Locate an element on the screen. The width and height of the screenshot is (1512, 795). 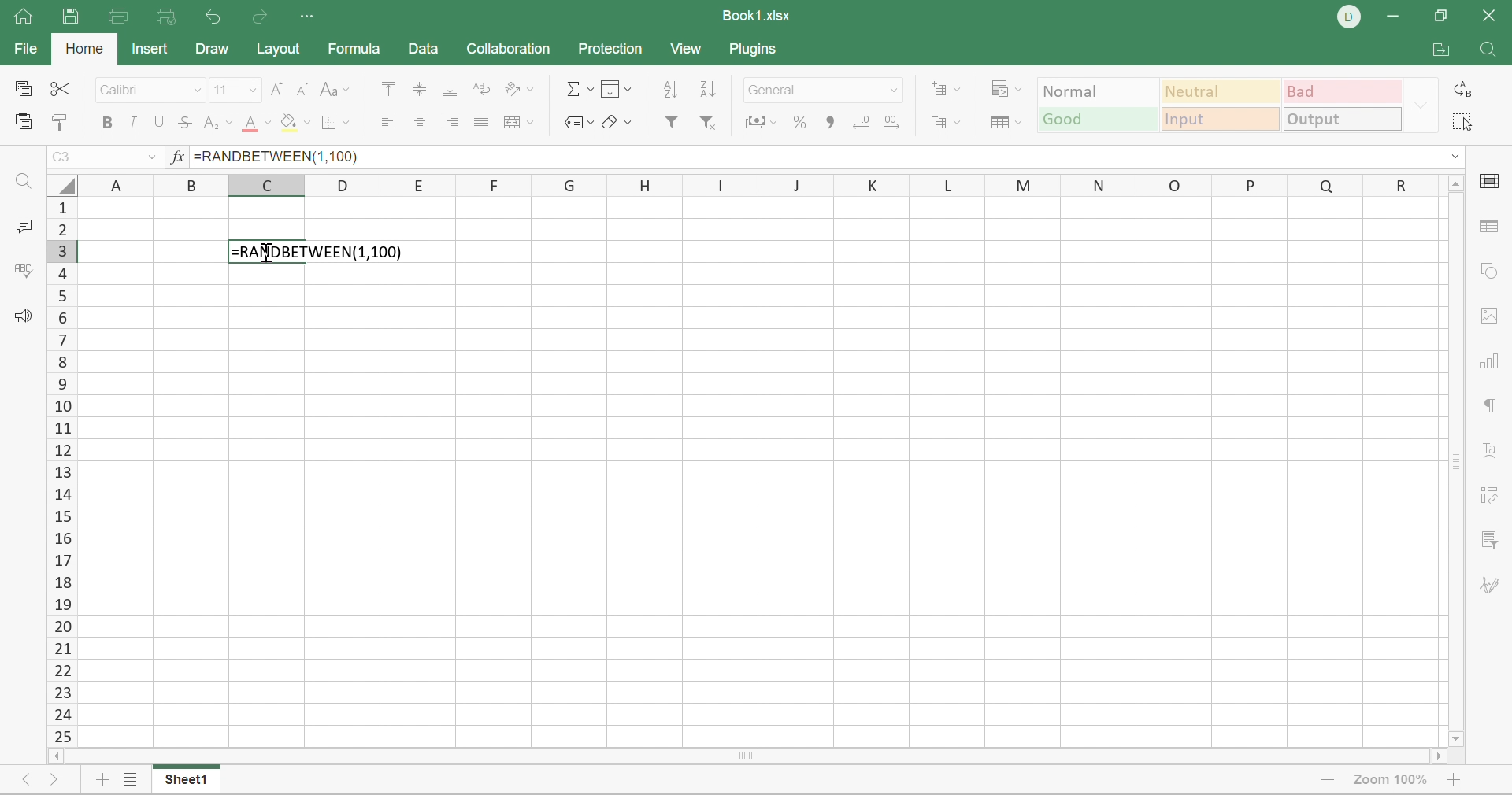
Copy style is located at coordinates (61, 121).